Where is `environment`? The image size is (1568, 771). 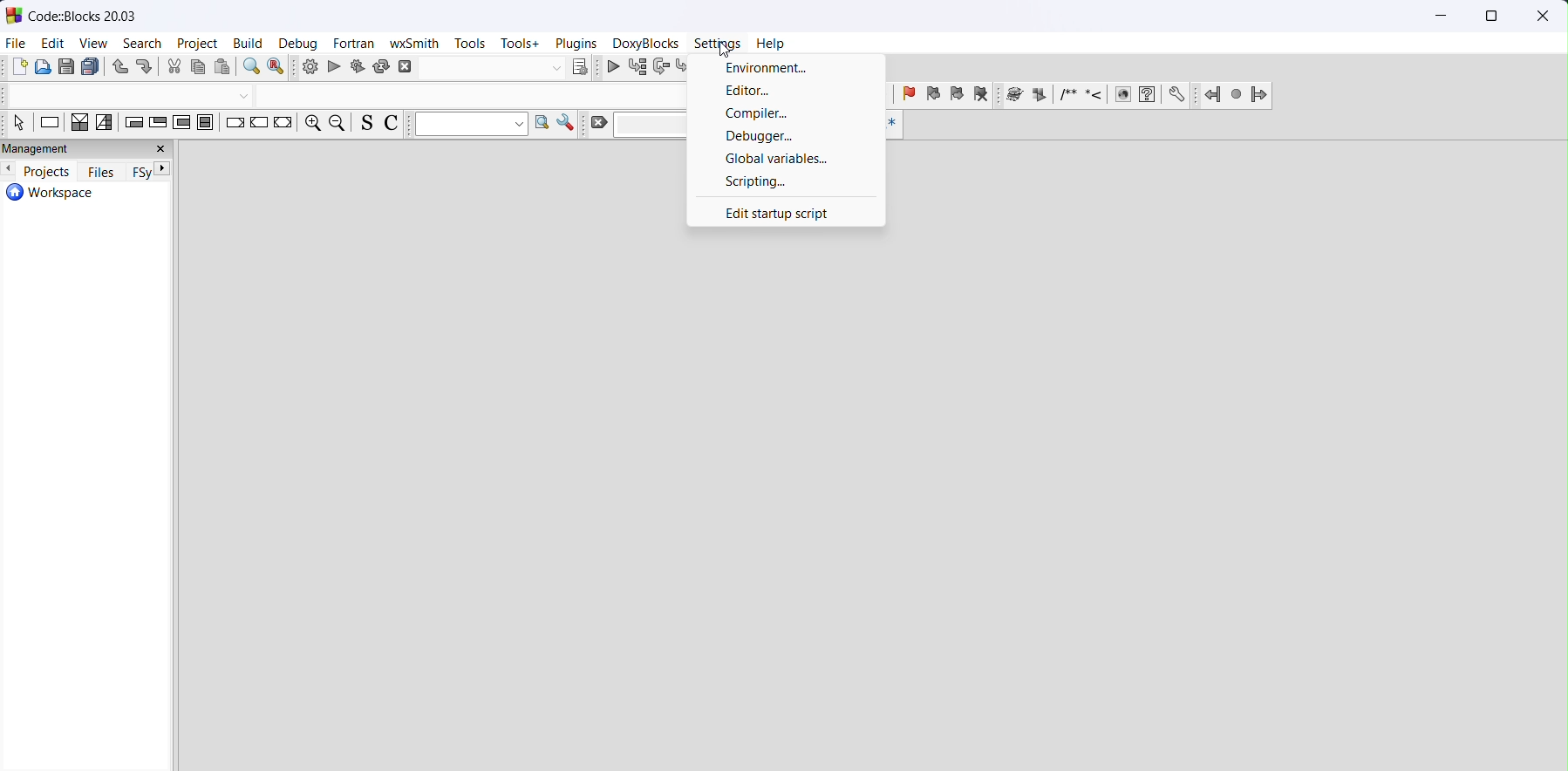 environment is located at coordinates (787, 68).